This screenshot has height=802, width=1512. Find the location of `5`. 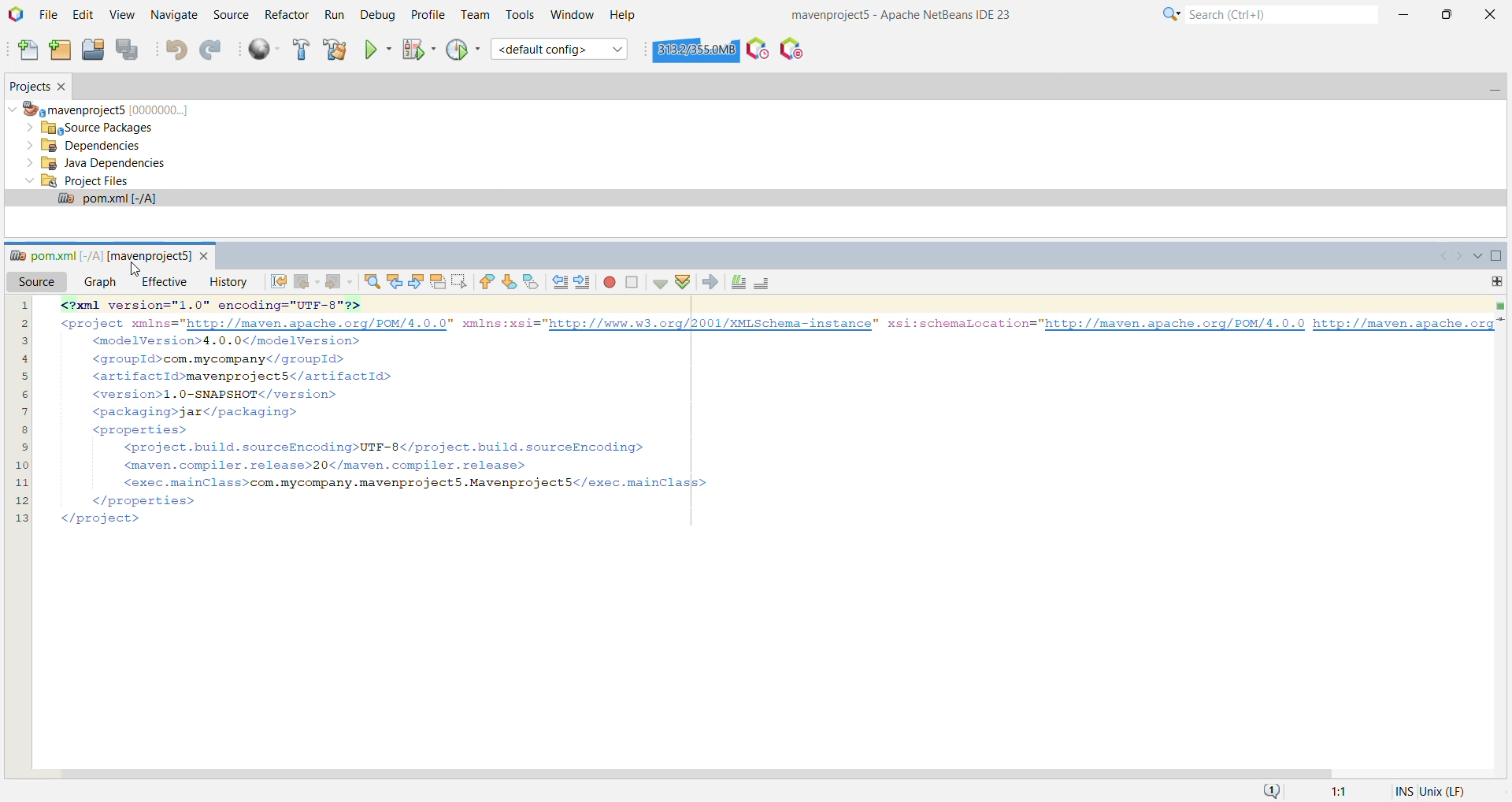

5 is located at coordinates (20, 375).